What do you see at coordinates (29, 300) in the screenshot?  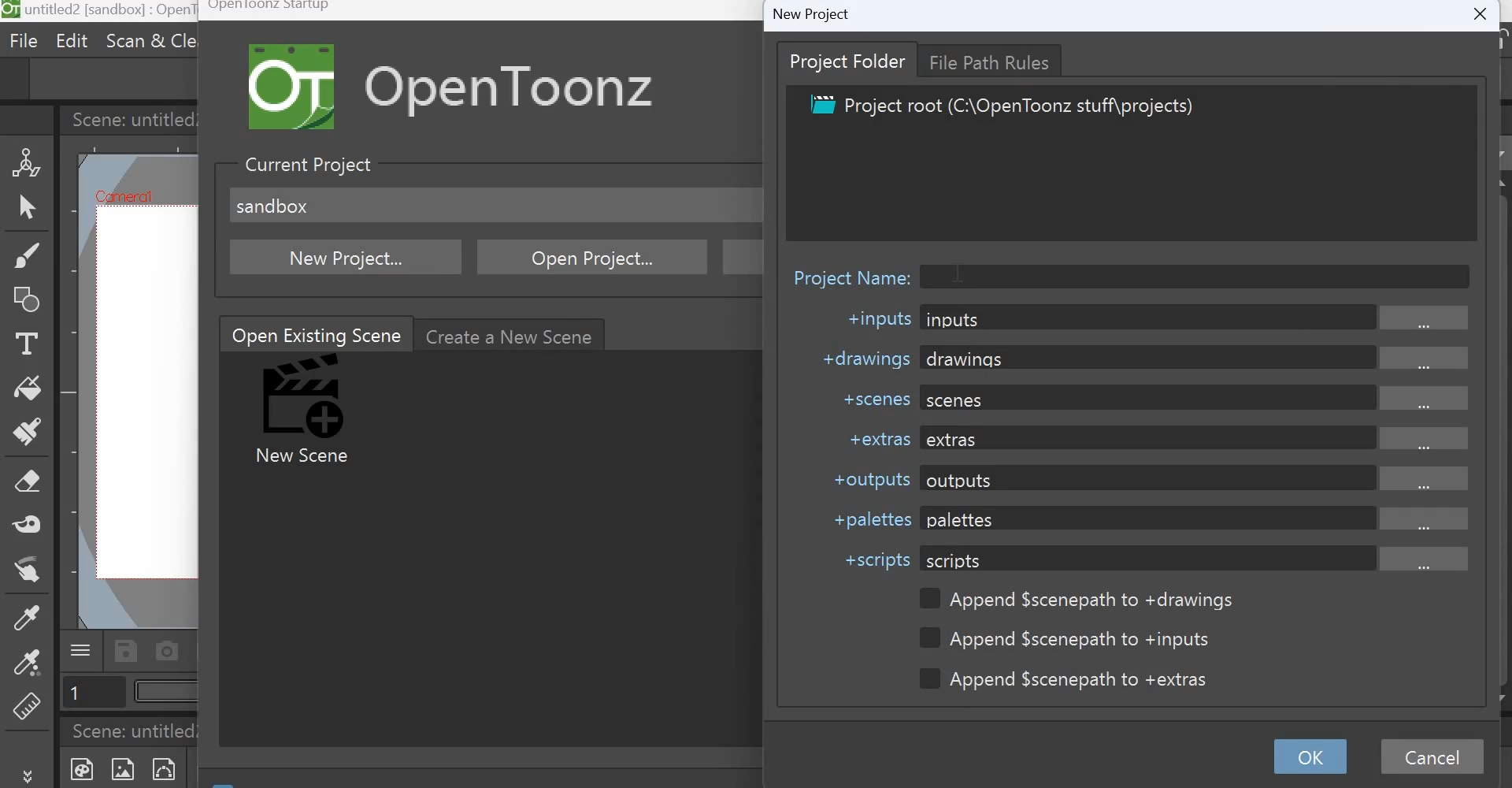 I see `Geometric Tool` at bounding box center [29, 300].